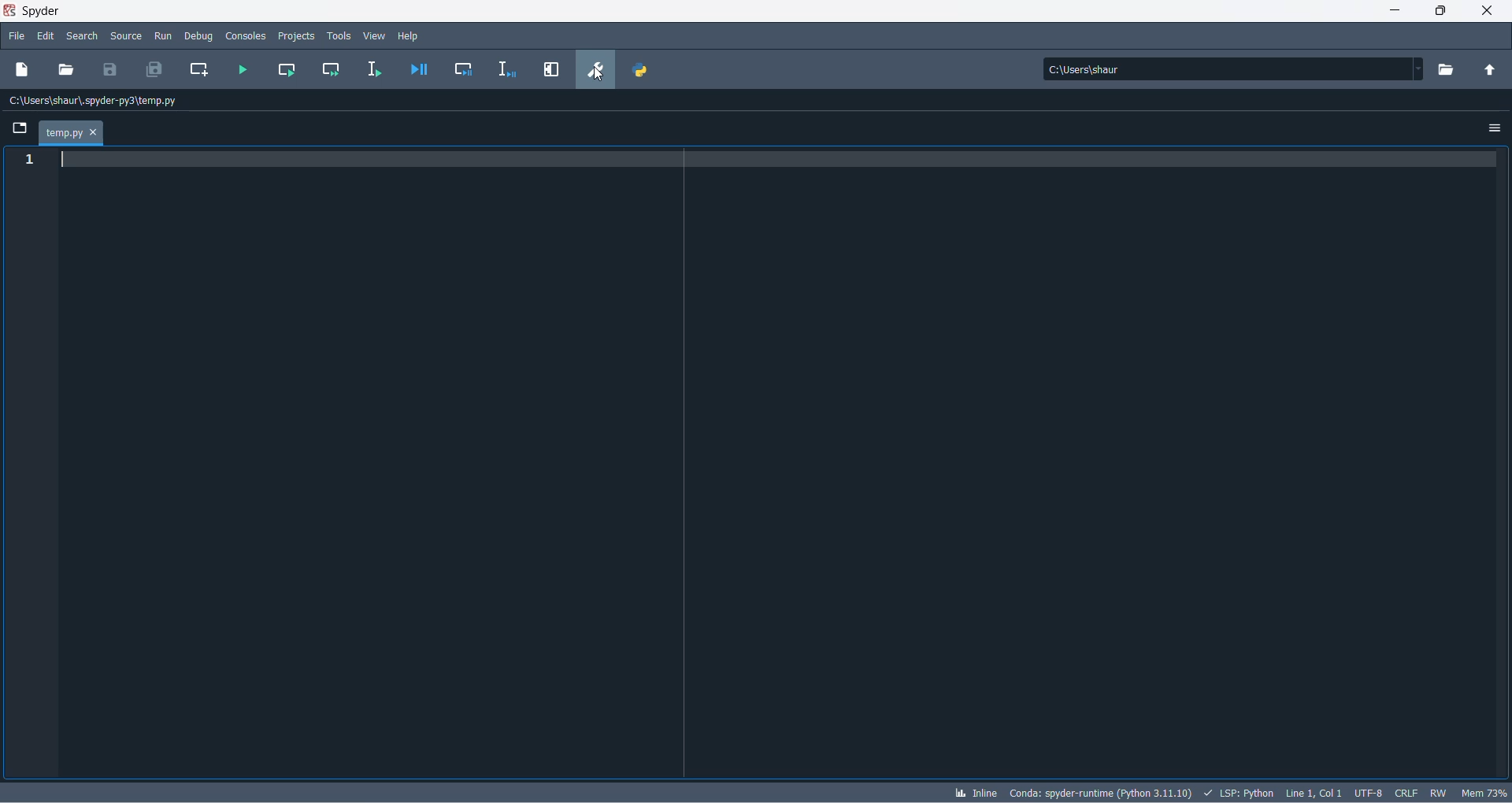 This screenshot has width=1512, height=803. What do you see at coordinates (420, 71) in the screenshot?
I see `debug file` at bounding box center [420, 71].